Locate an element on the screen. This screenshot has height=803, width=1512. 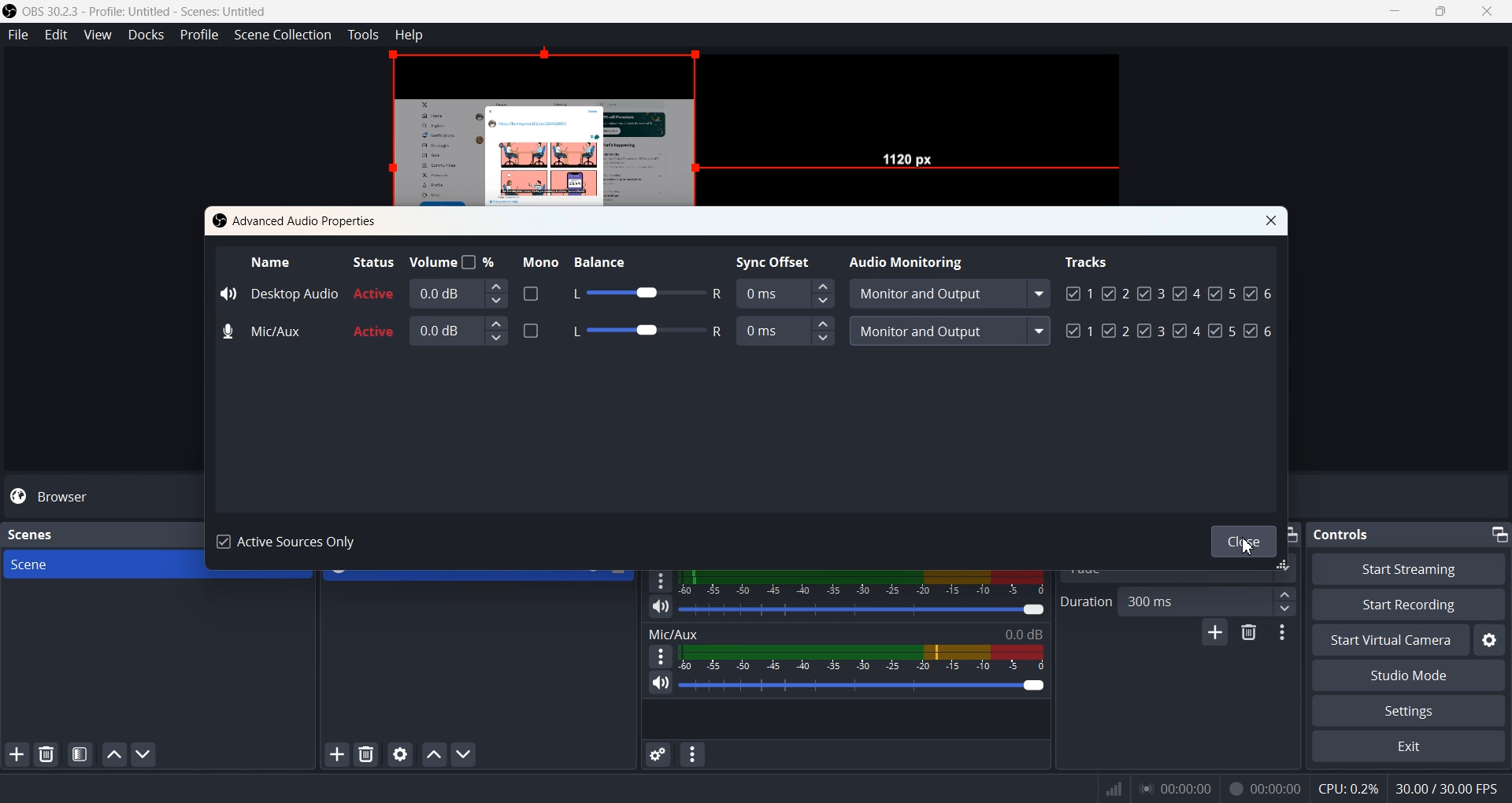
Balance adjuster is located at coordinates (642, 328).